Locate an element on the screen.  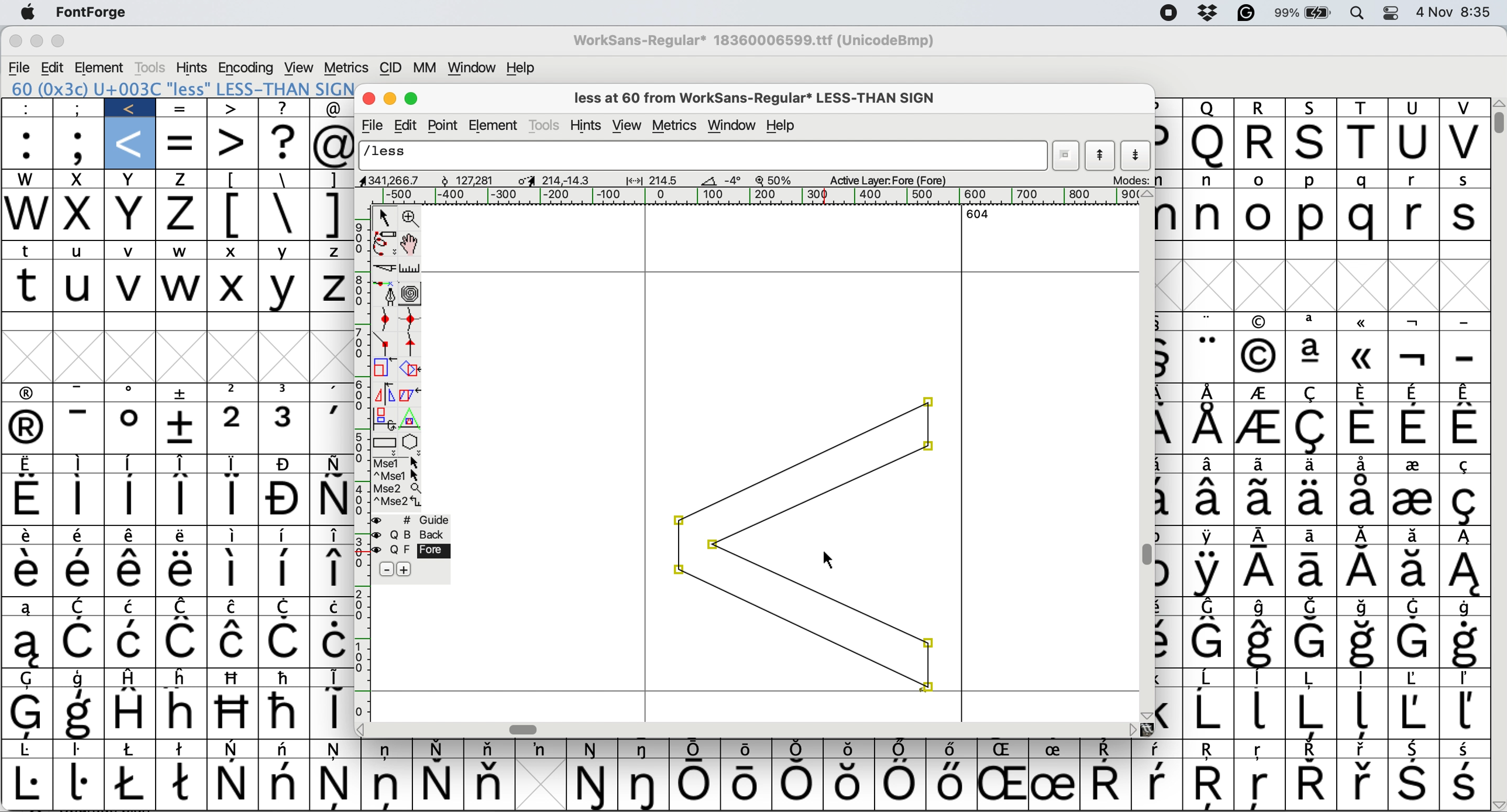
system logo is located at coordinates (29, 12).